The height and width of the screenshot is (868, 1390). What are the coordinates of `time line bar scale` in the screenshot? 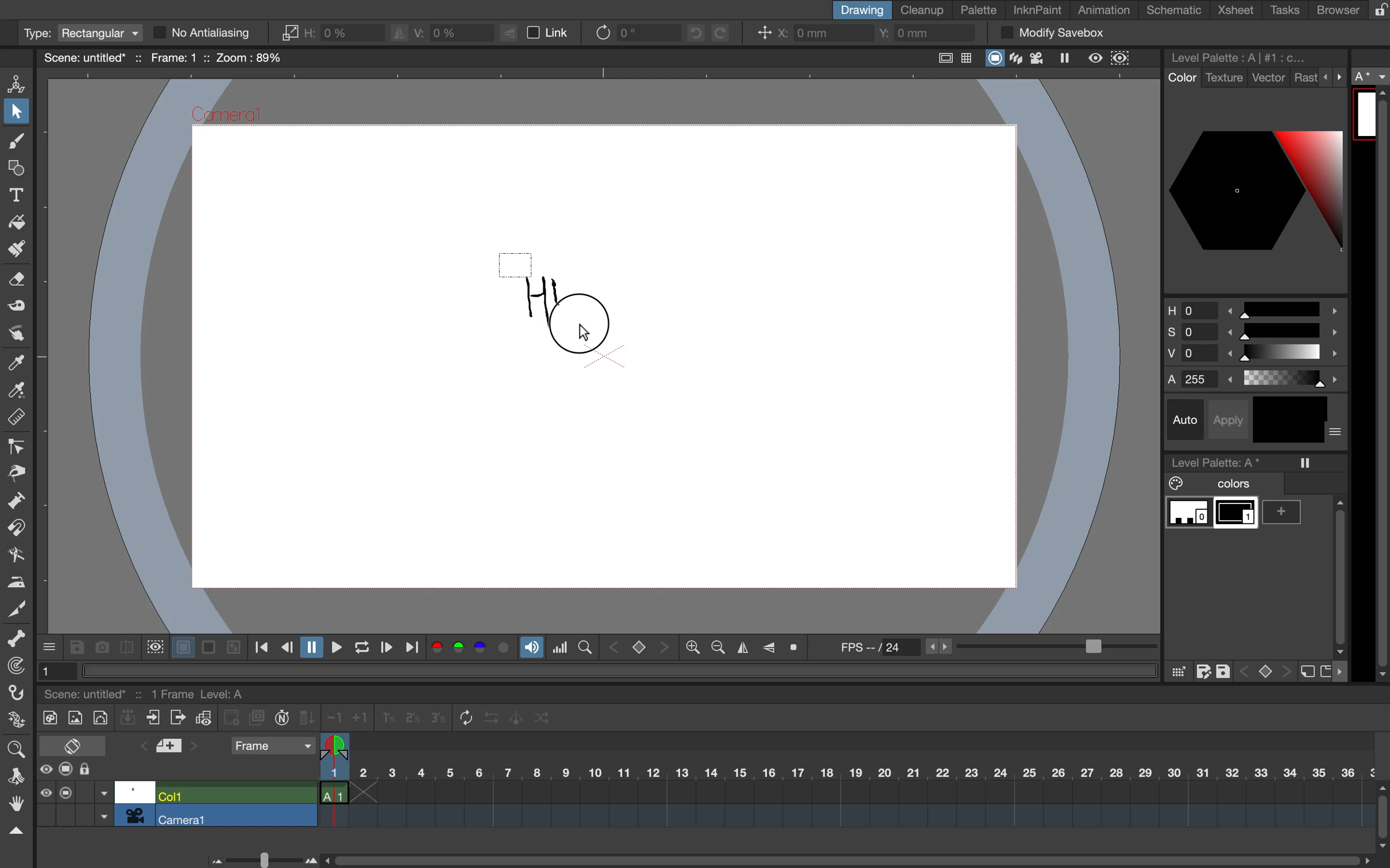 It's located at (259, 858).